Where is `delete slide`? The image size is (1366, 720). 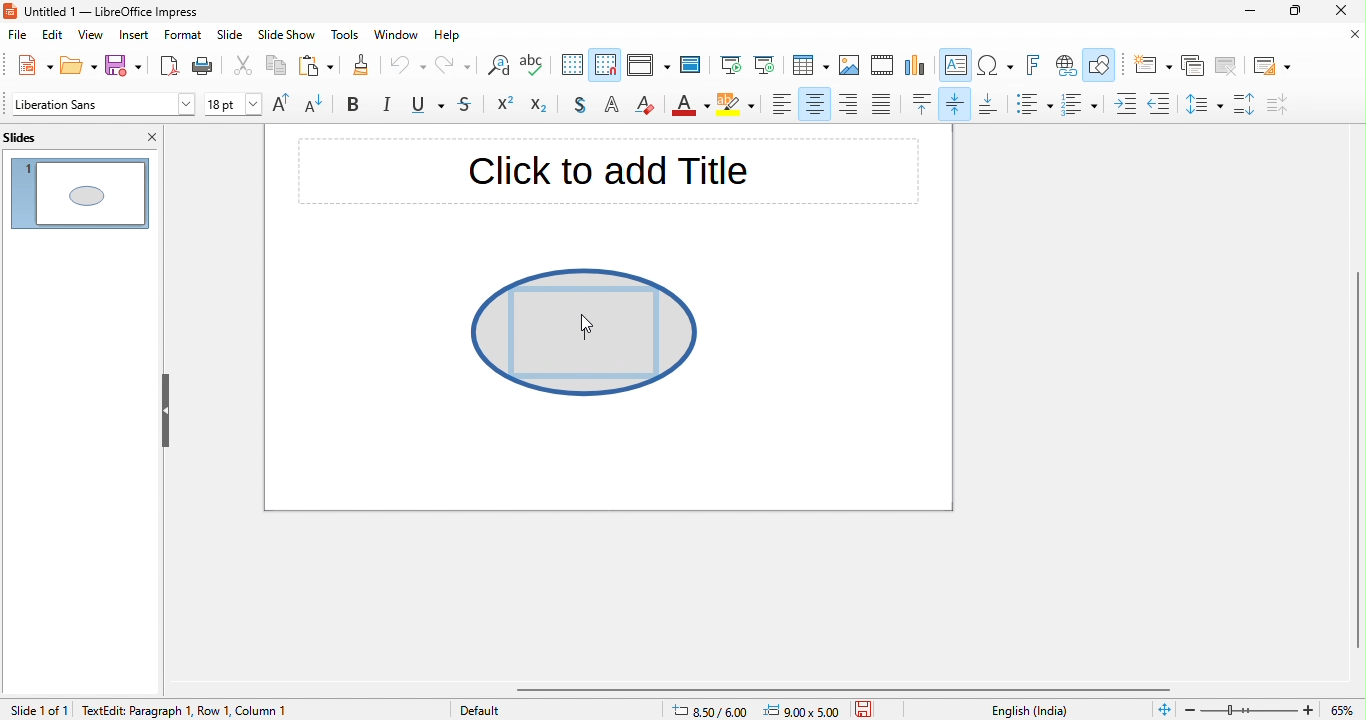
delete slide is located at coordinates (1226, 66).